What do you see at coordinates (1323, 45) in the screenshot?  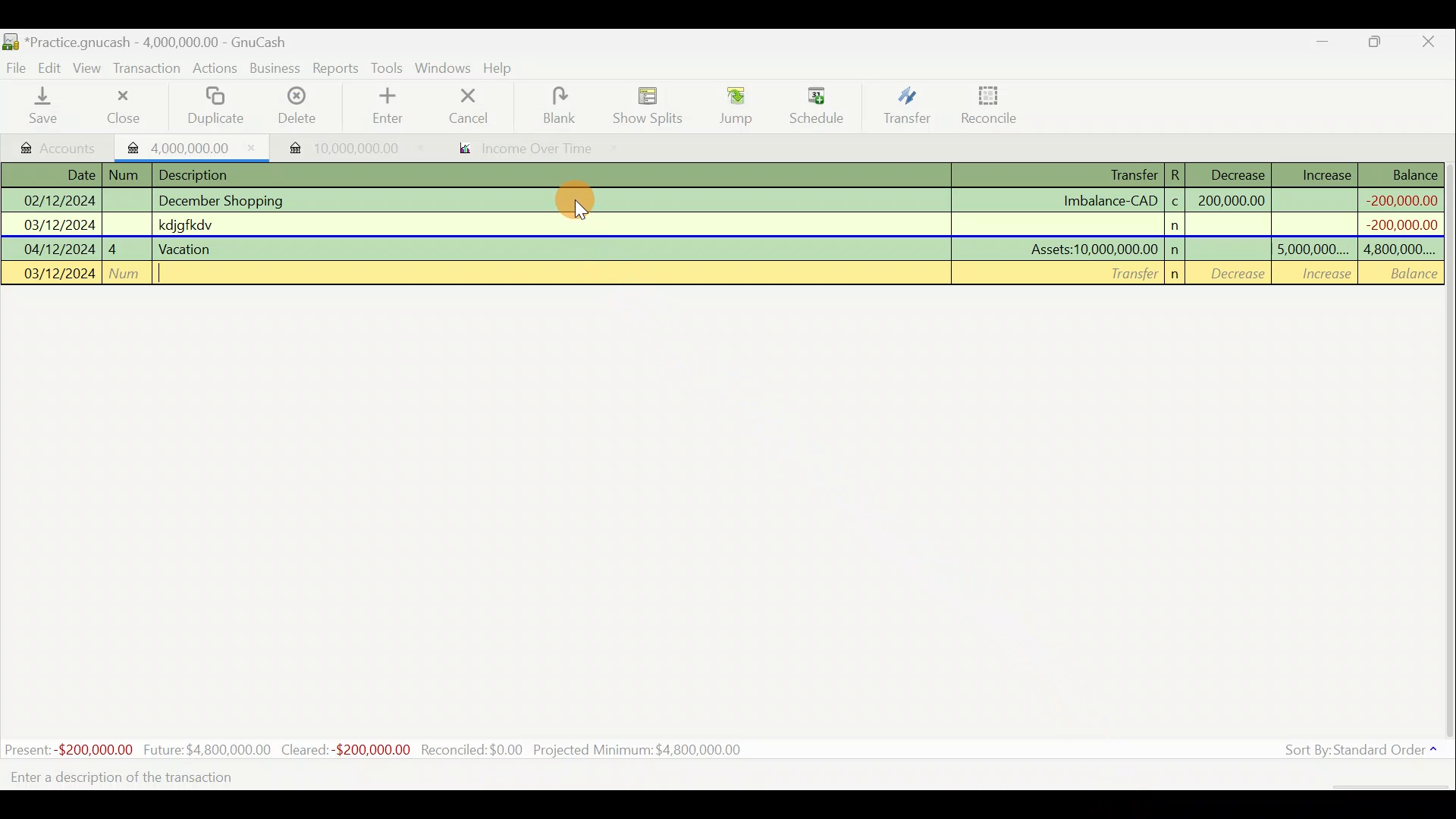 I see `Minimise` at bounding box center [1323, 45].